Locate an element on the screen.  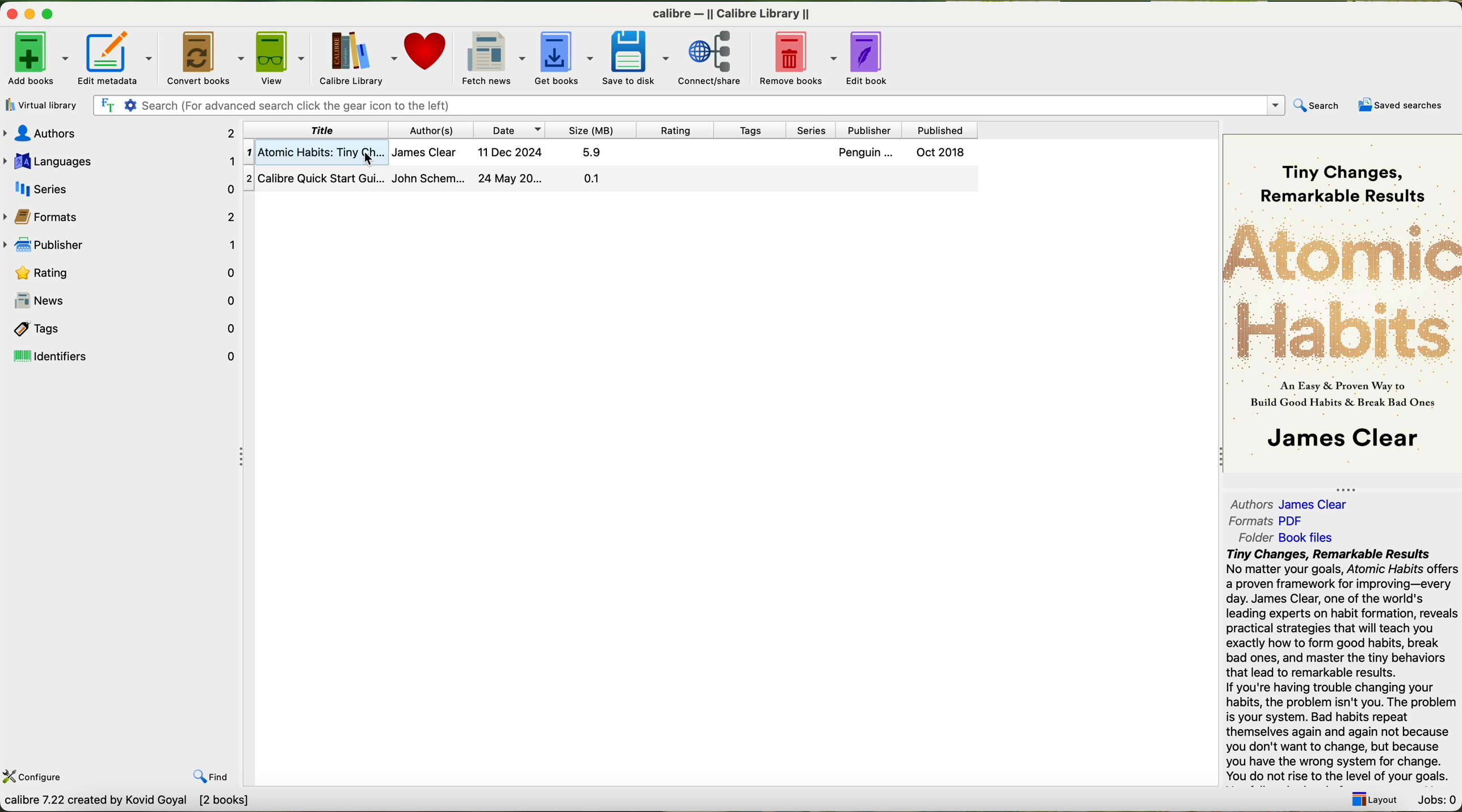
rating is located at coordinates (124, 272).